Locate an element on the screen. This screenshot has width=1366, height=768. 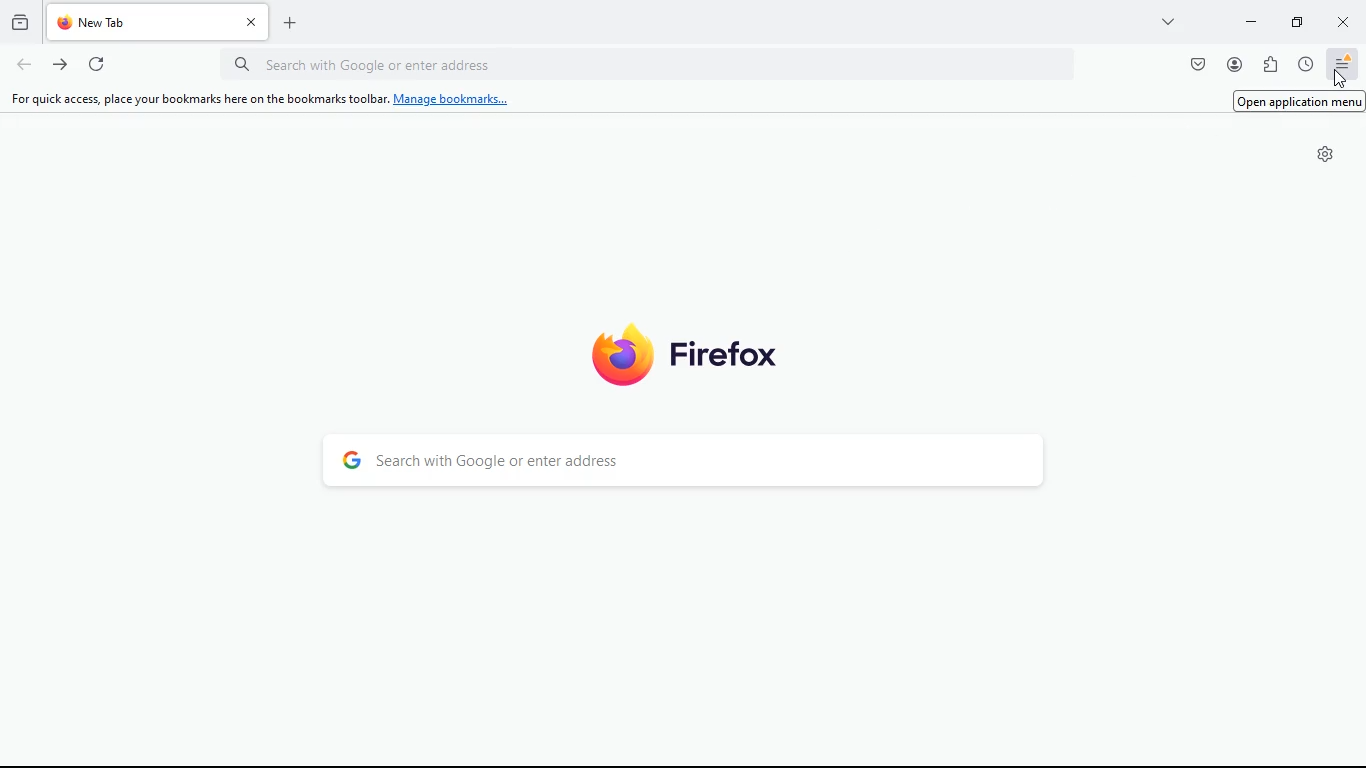
firefox is located at coordinates (697, 351).